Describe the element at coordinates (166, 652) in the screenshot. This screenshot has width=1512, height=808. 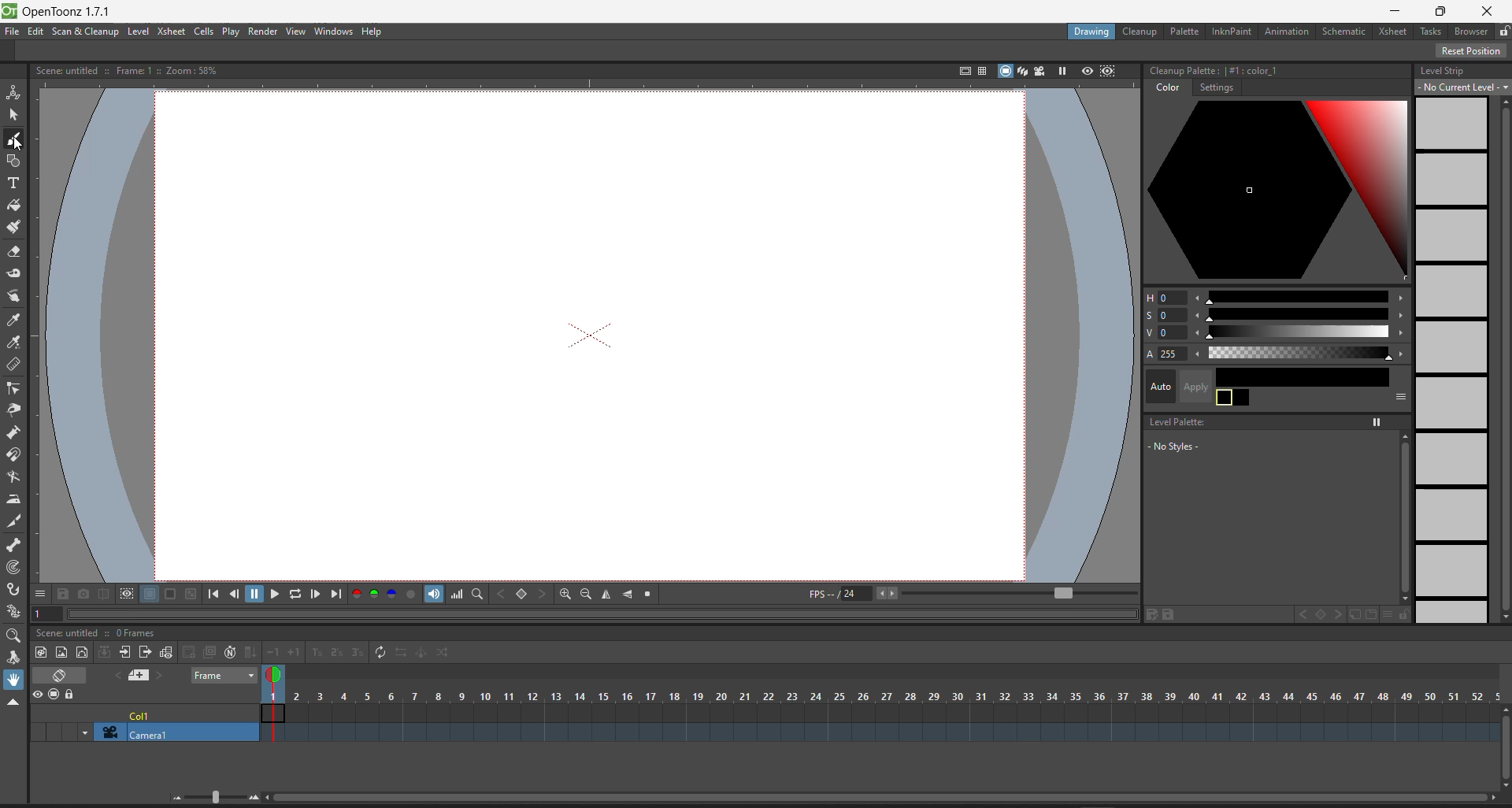
I see `toggle edit in place` at that location.